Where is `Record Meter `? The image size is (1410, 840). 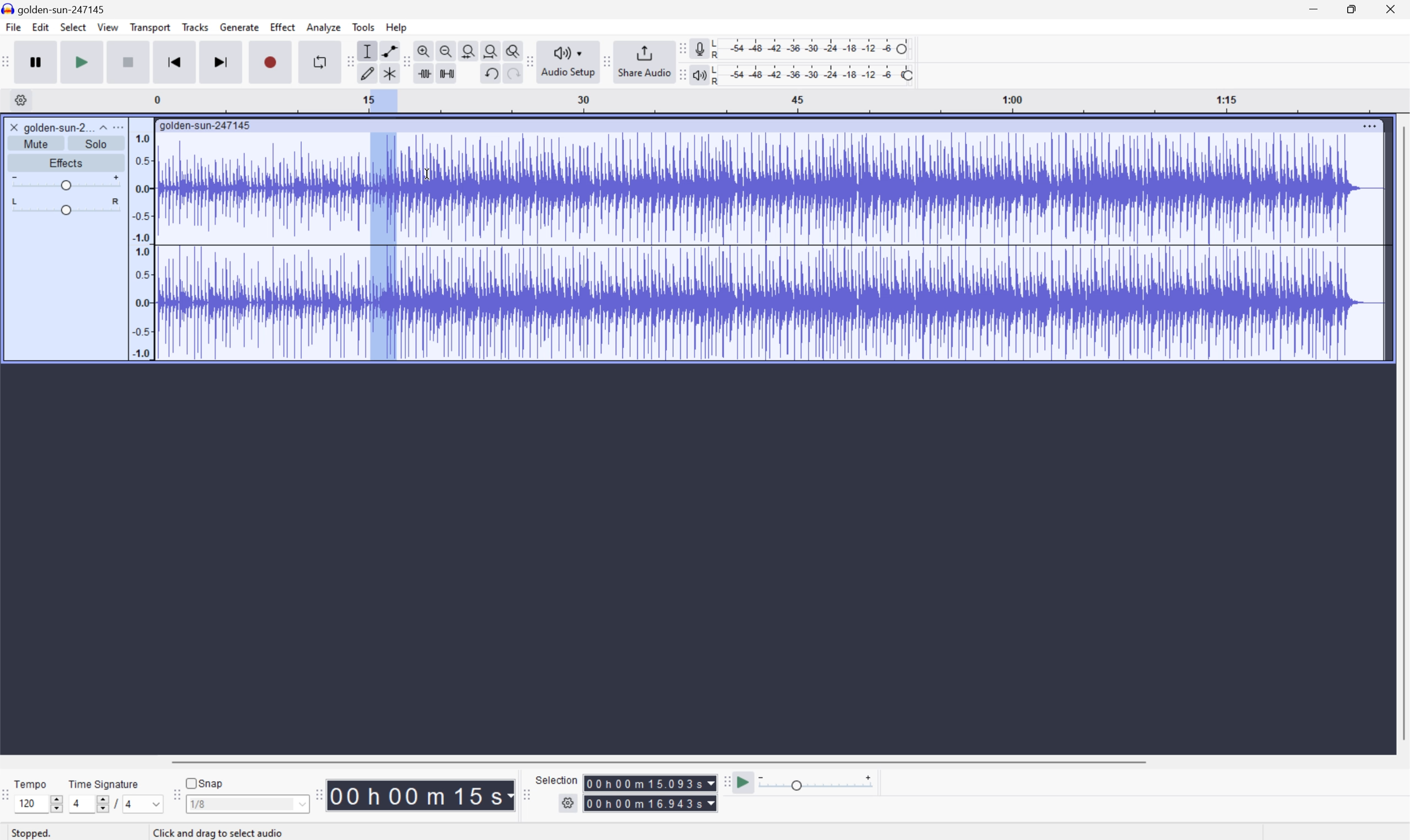
Record Meter  is located at coordinates (699, 47).